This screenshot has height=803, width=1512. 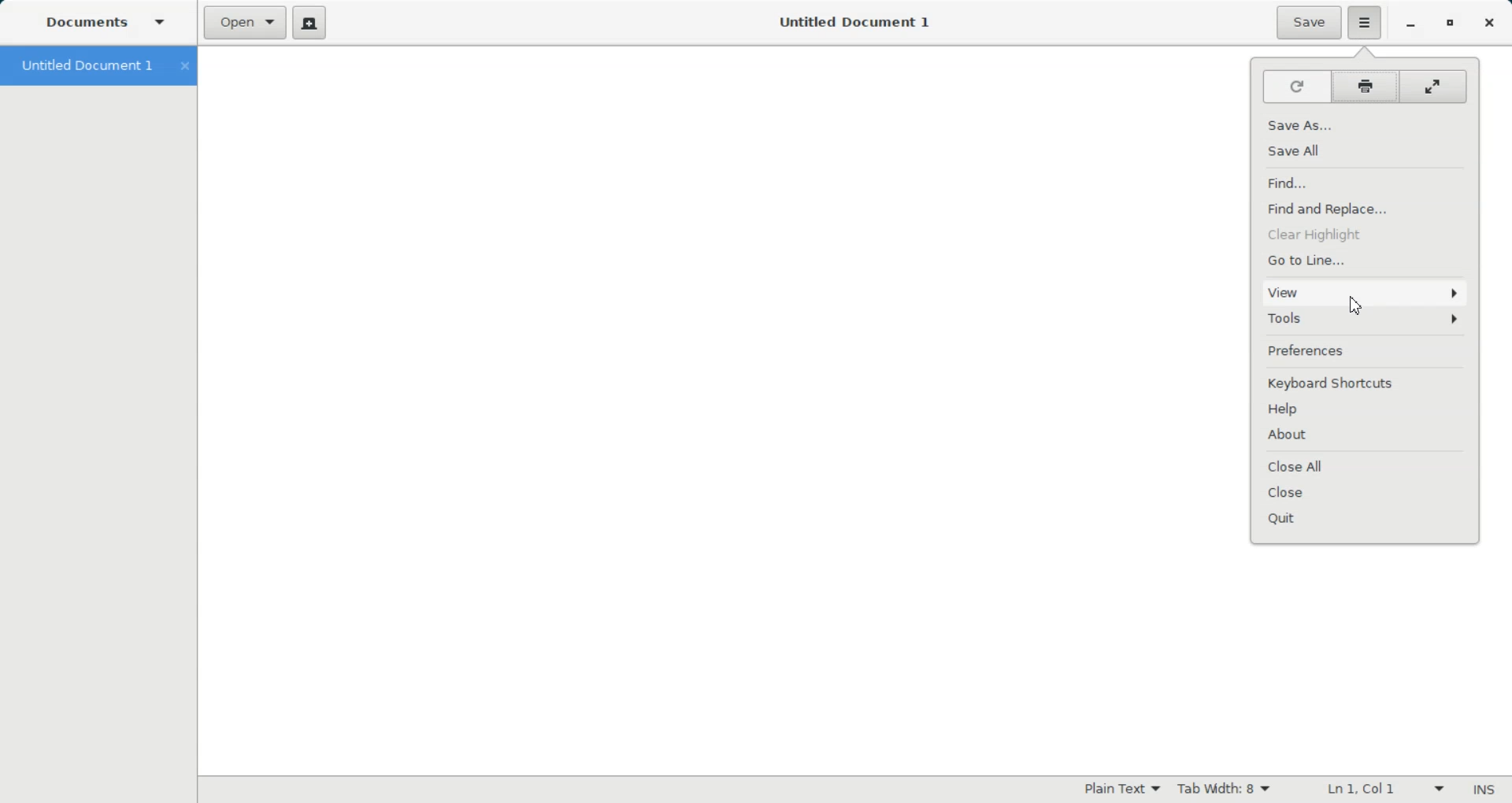 I want to click on Close, so click(x=1366, y=494).